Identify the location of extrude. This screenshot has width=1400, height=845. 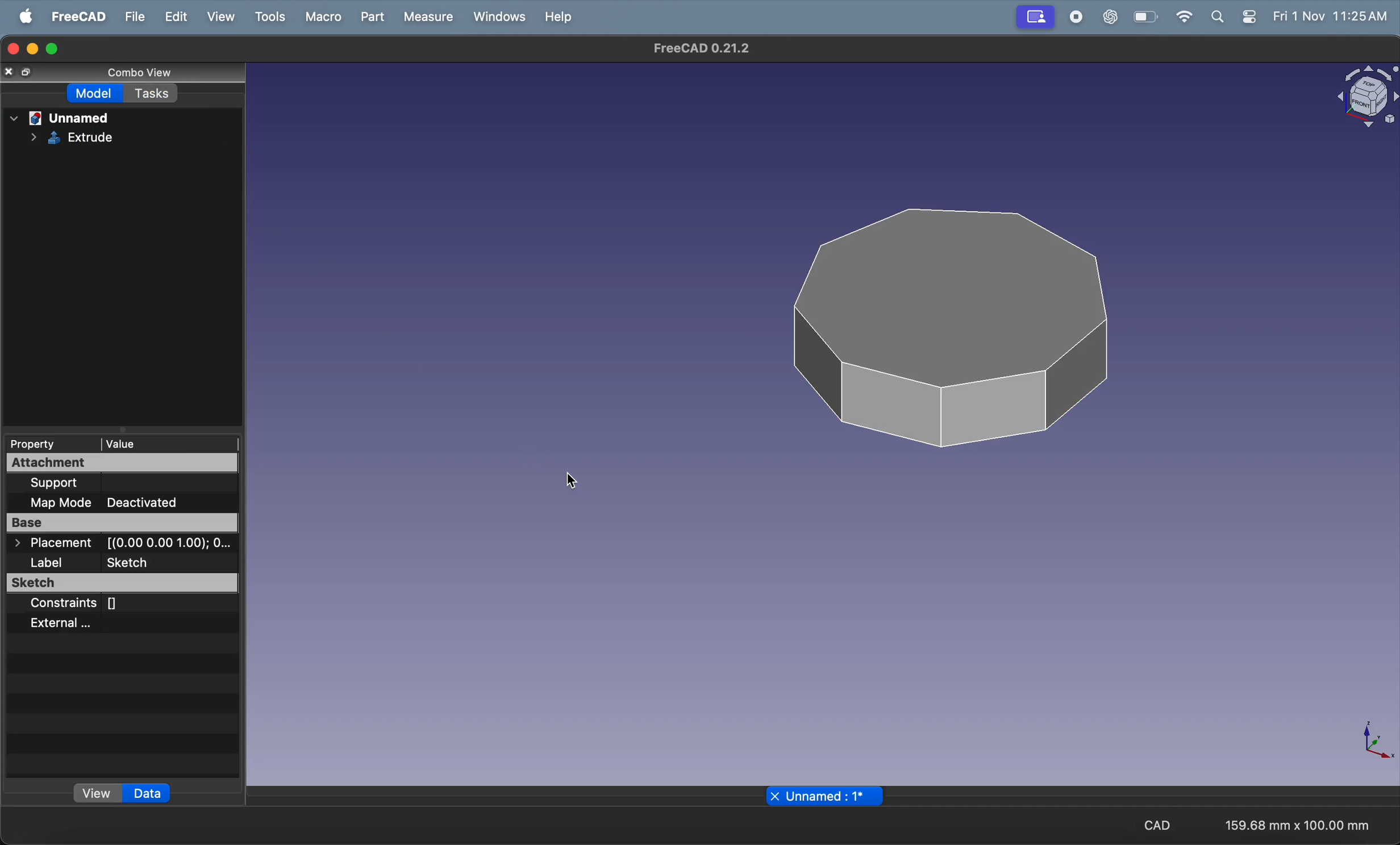
(84, 139).